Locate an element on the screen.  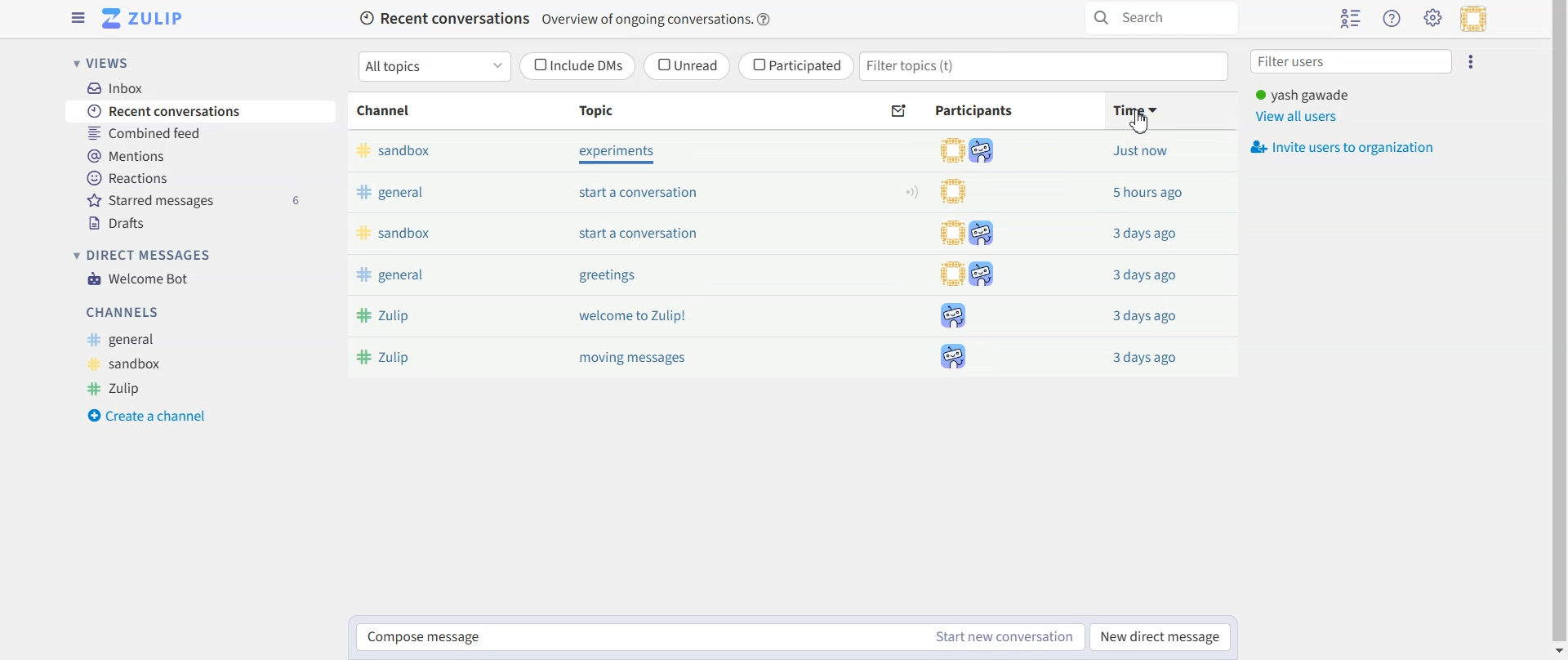
Invite users to organization is located at coordinates (1343, 147).